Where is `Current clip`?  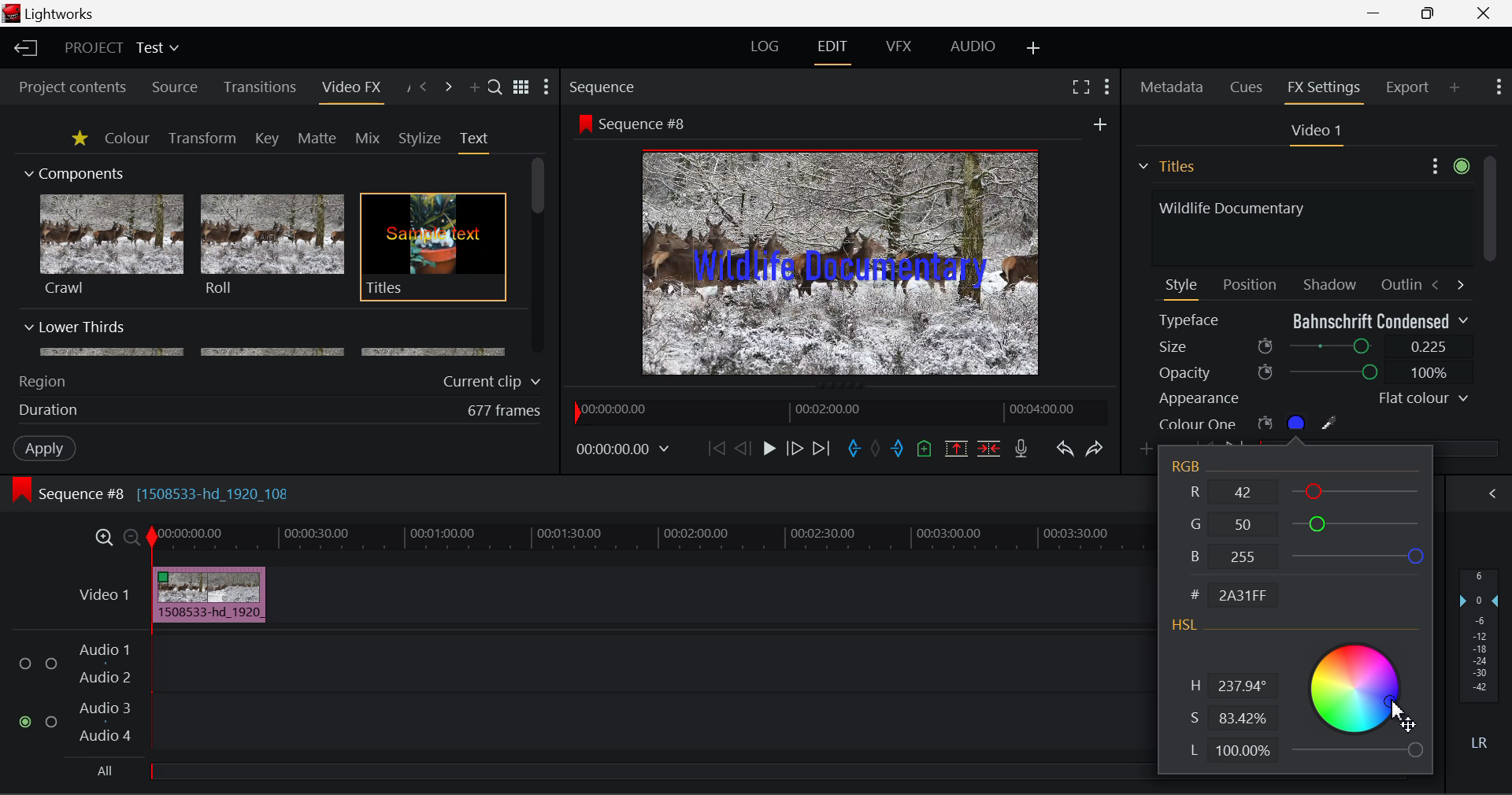 Current clip is located at coordinates (495, 382).